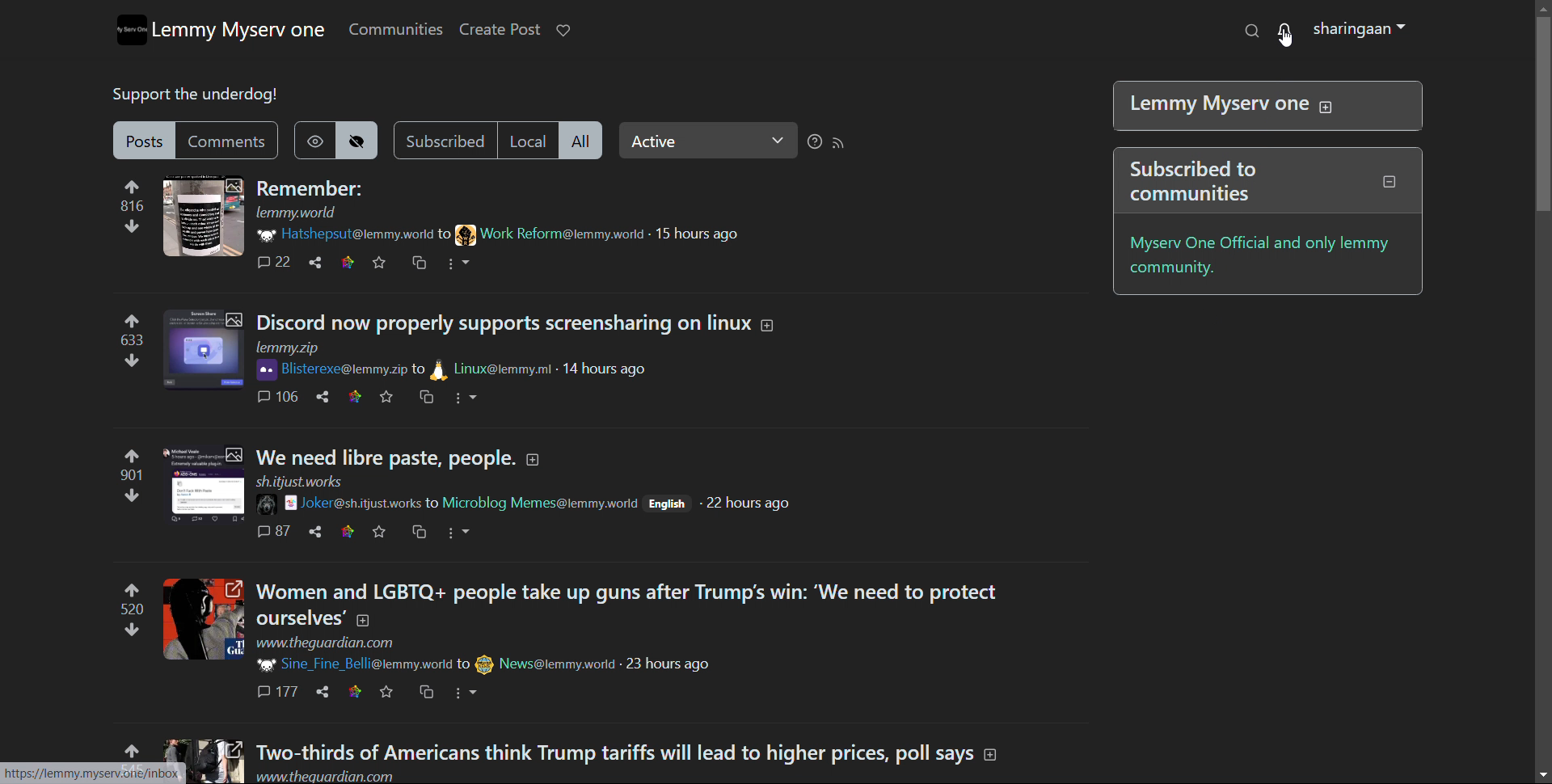 The image size is (1552, 784). I want to click on all, so click(584, 141).